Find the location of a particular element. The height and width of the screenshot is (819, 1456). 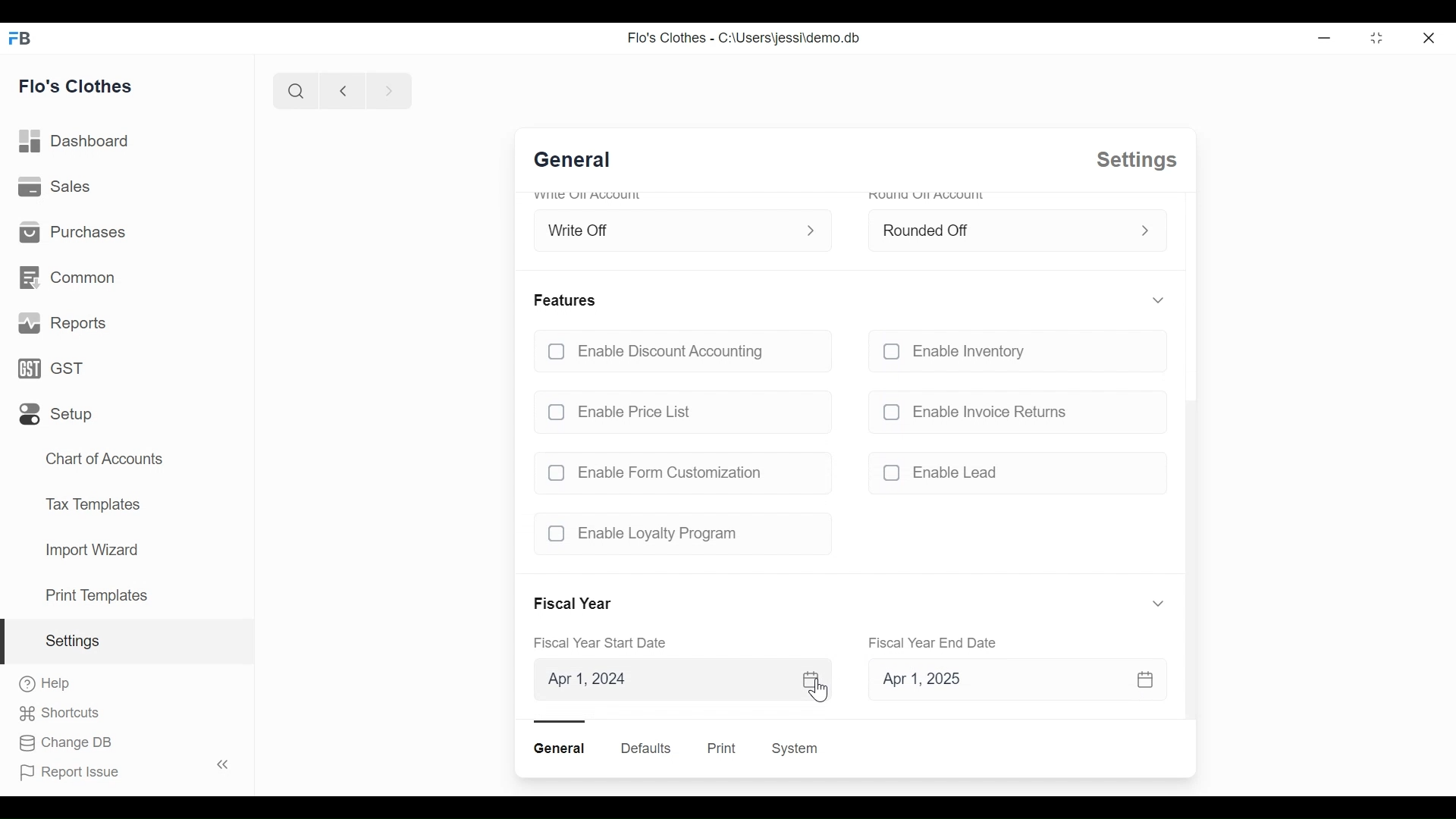

Fiscal Year End Date is located at coordinates (935, 642).